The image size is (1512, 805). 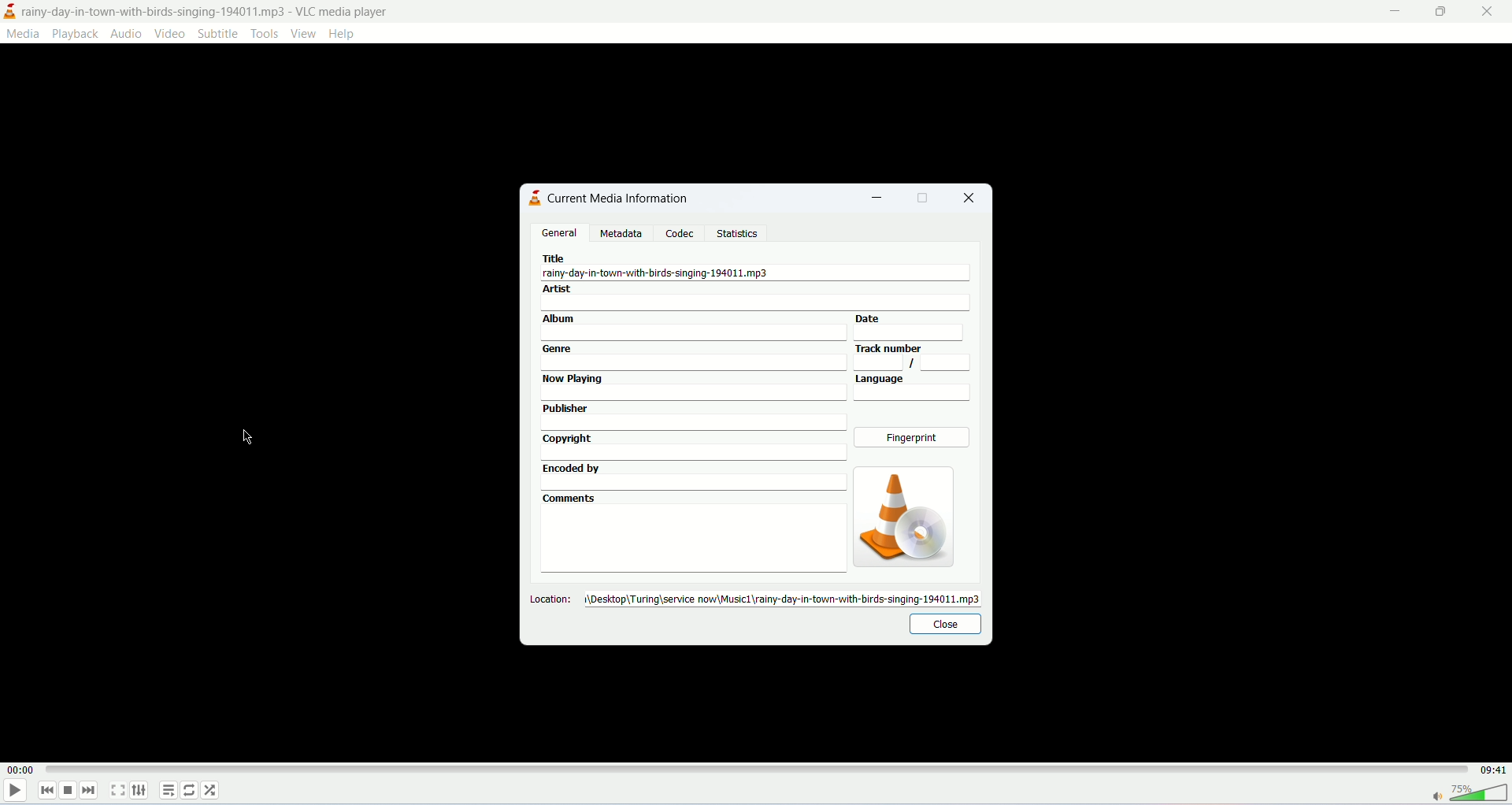 I want to click on extended settings, so click(x=139, y=790).